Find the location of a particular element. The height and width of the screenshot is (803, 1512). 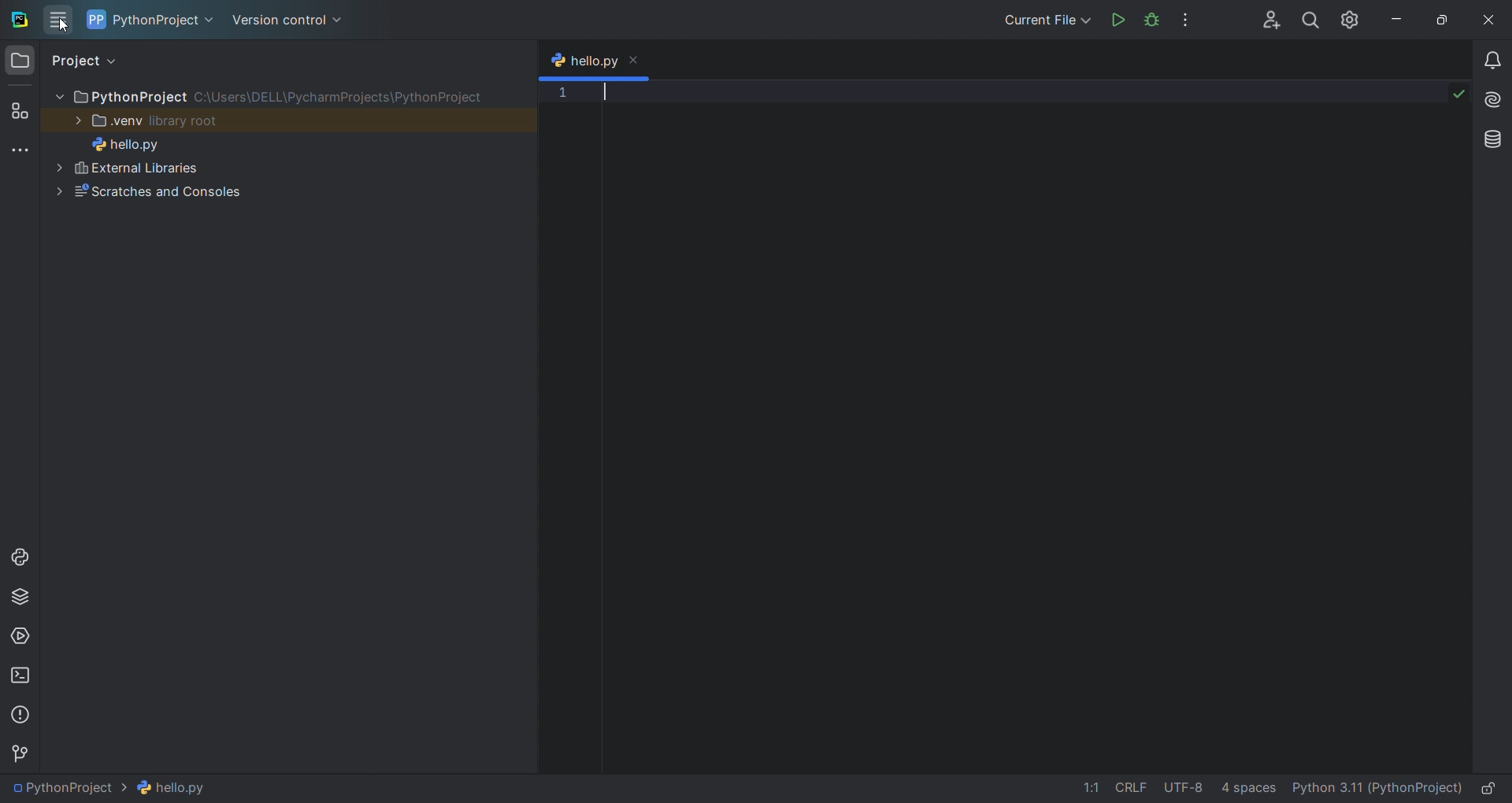

database is located at coordinates (1493, 139).